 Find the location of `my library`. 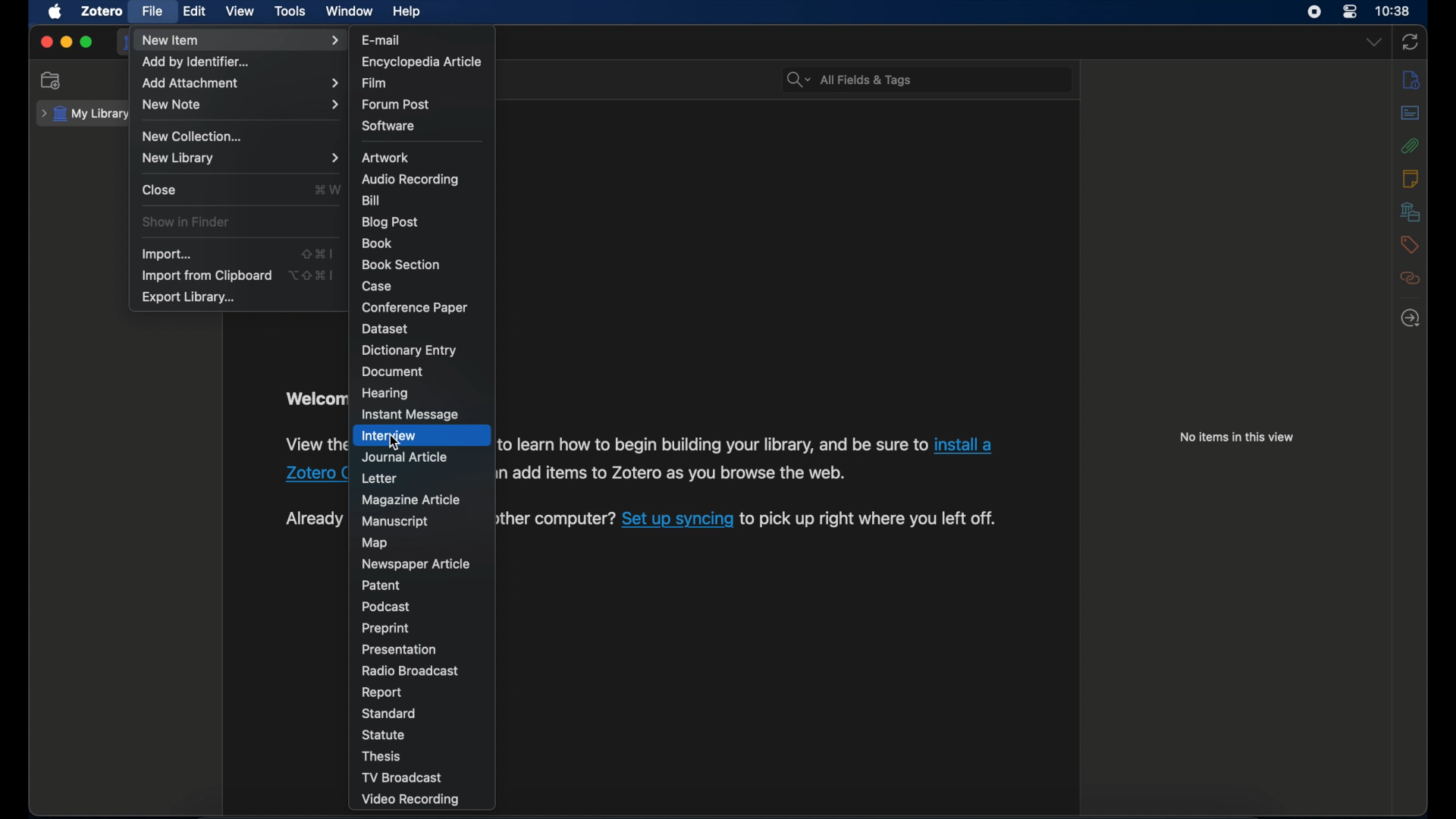

my library is located at coordinates (83, 115).